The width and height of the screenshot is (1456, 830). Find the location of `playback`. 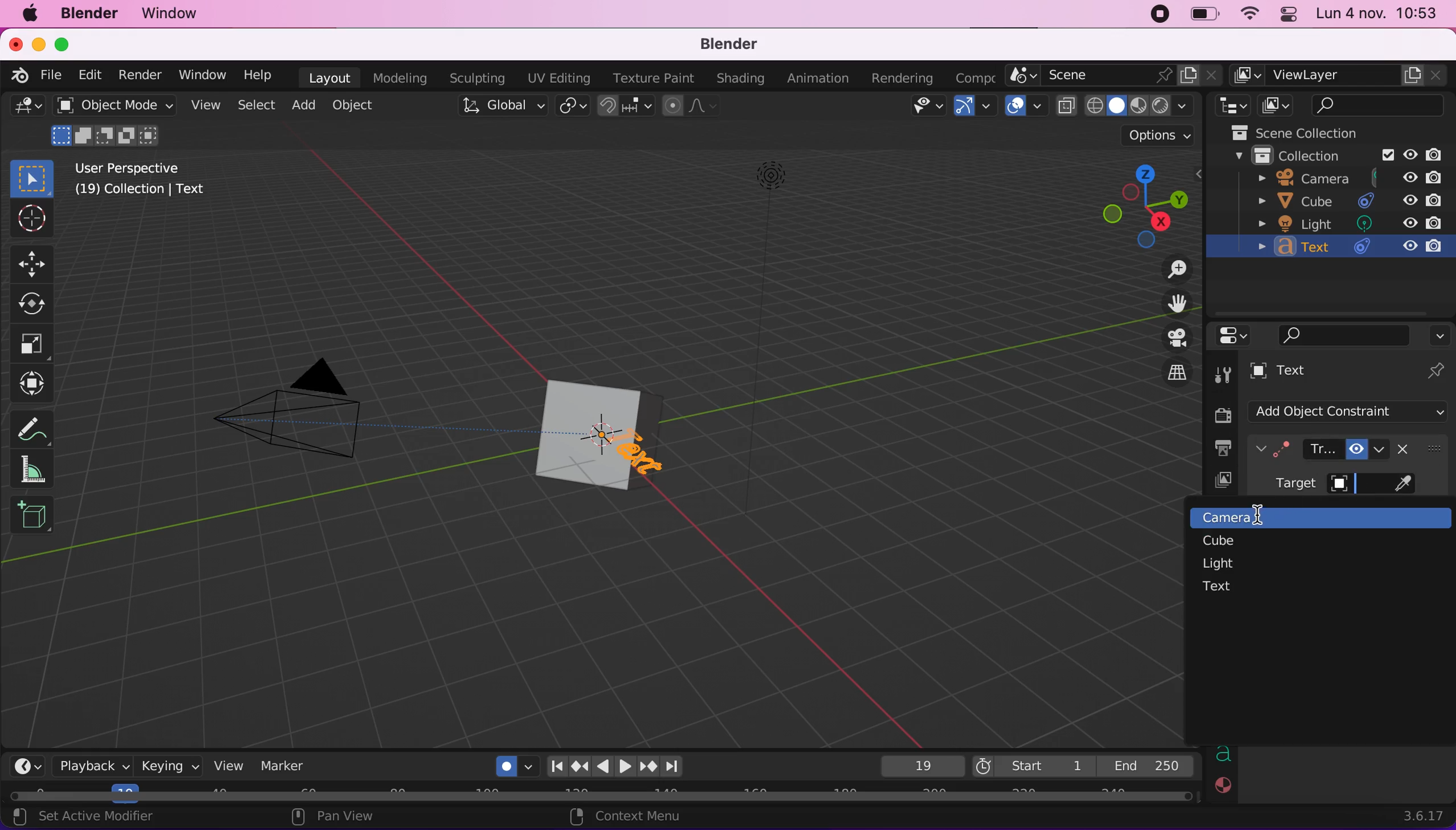

playback is located at coordinates (95, 768).